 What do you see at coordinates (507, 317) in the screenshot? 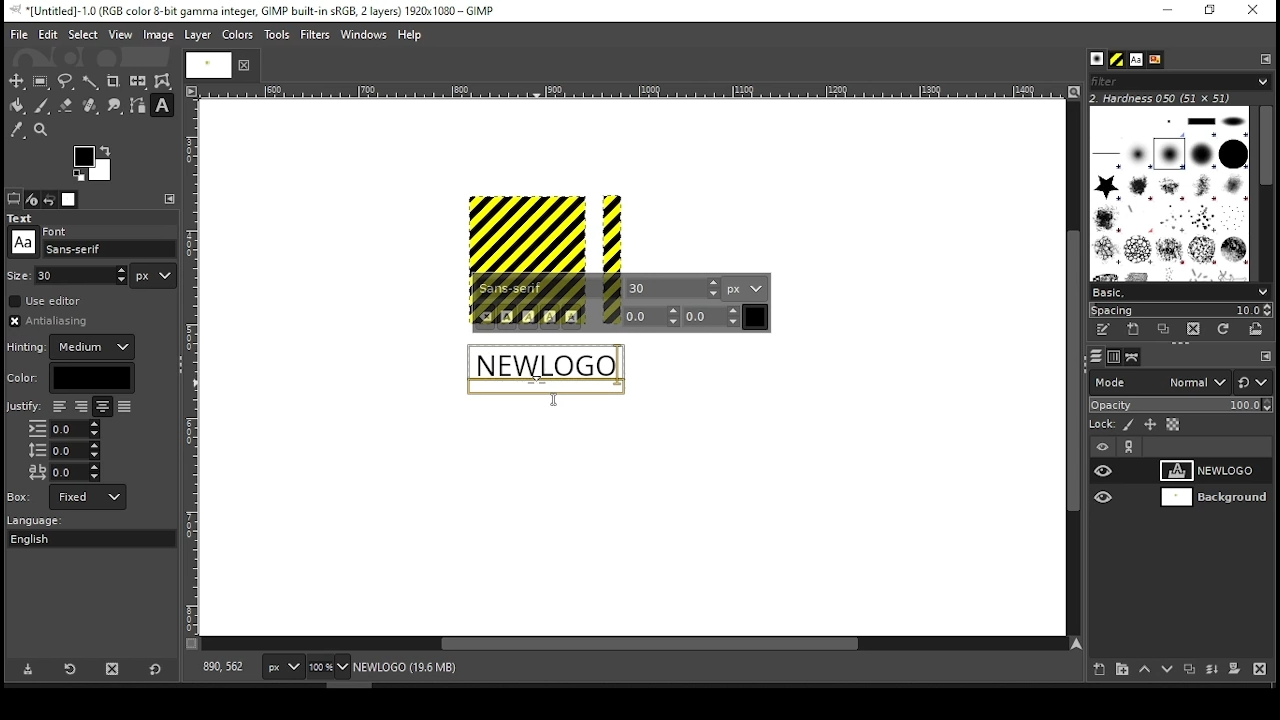
I see `bold` at bounding box center [507, 317].